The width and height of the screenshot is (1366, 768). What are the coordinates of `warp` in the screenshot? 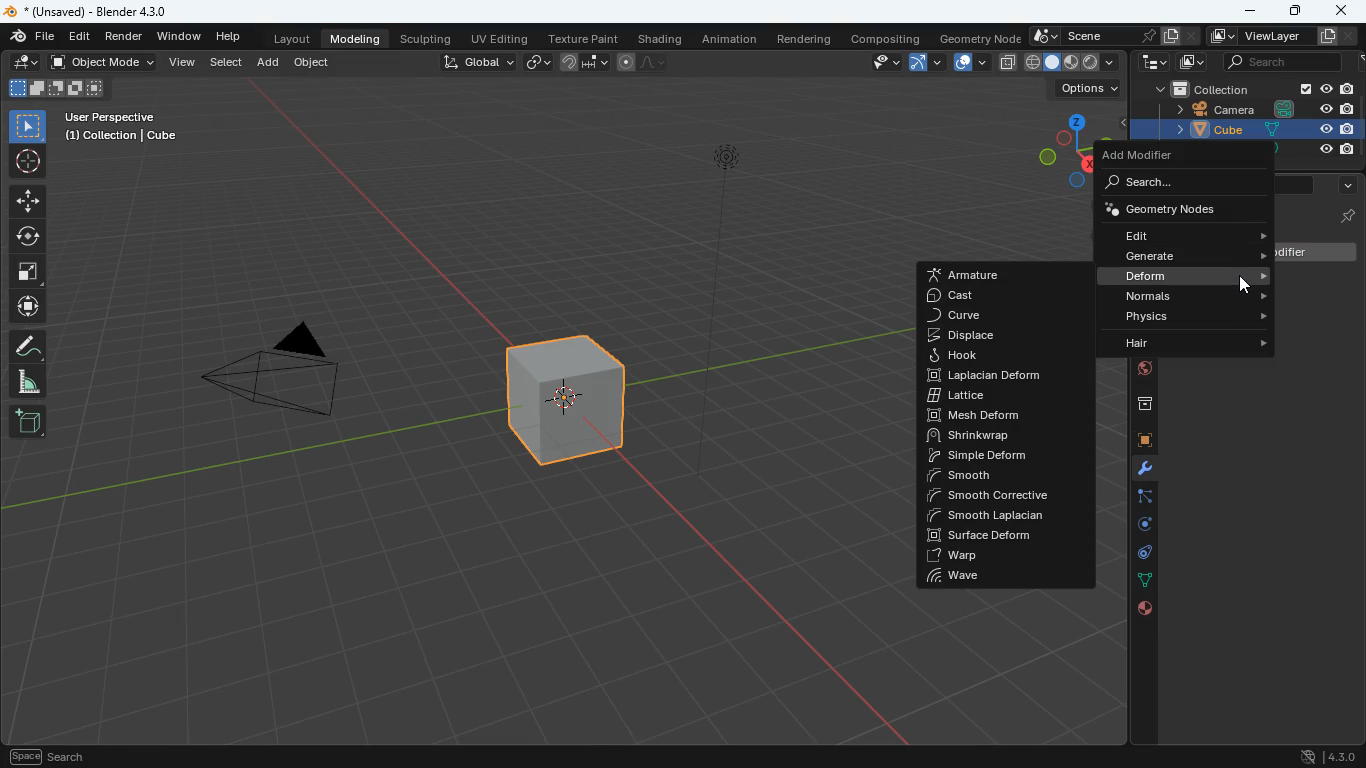 It's located at (1003, 556).